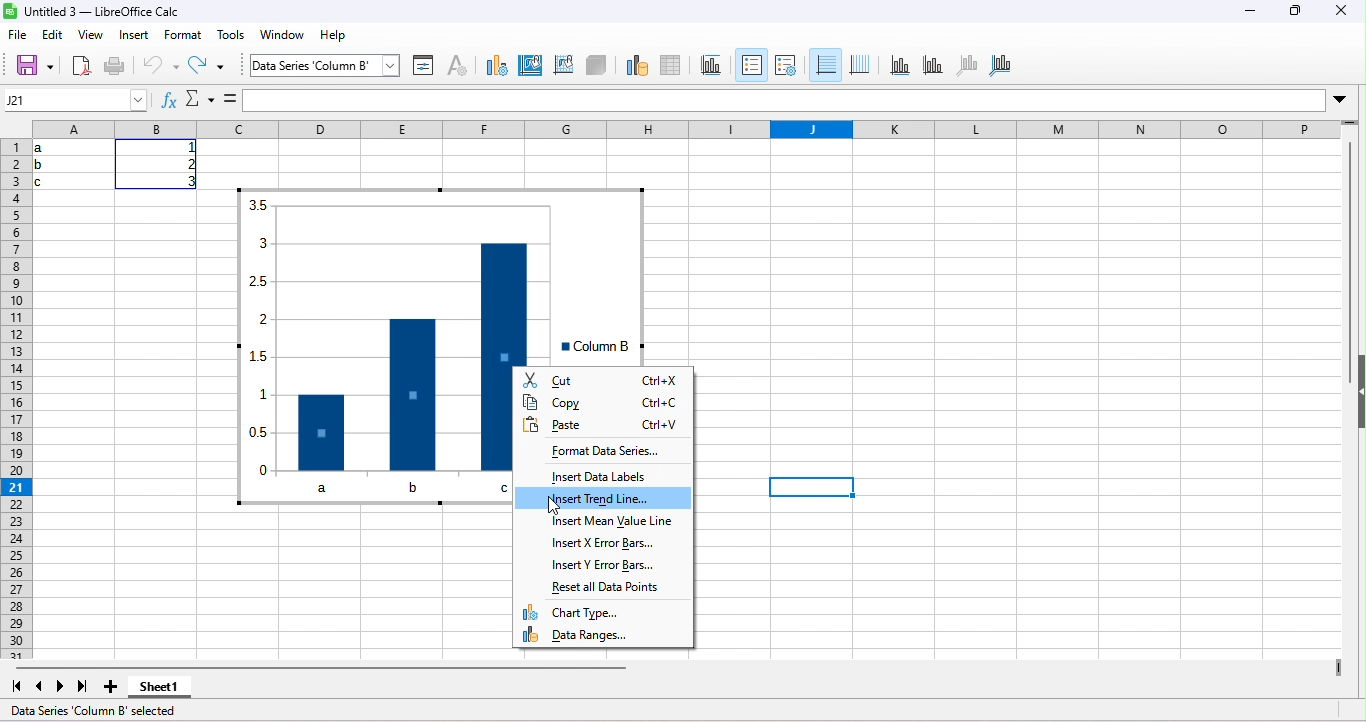 This screenshot has width=1366, height=722. I want to click on data point 2, so click(412, 393).